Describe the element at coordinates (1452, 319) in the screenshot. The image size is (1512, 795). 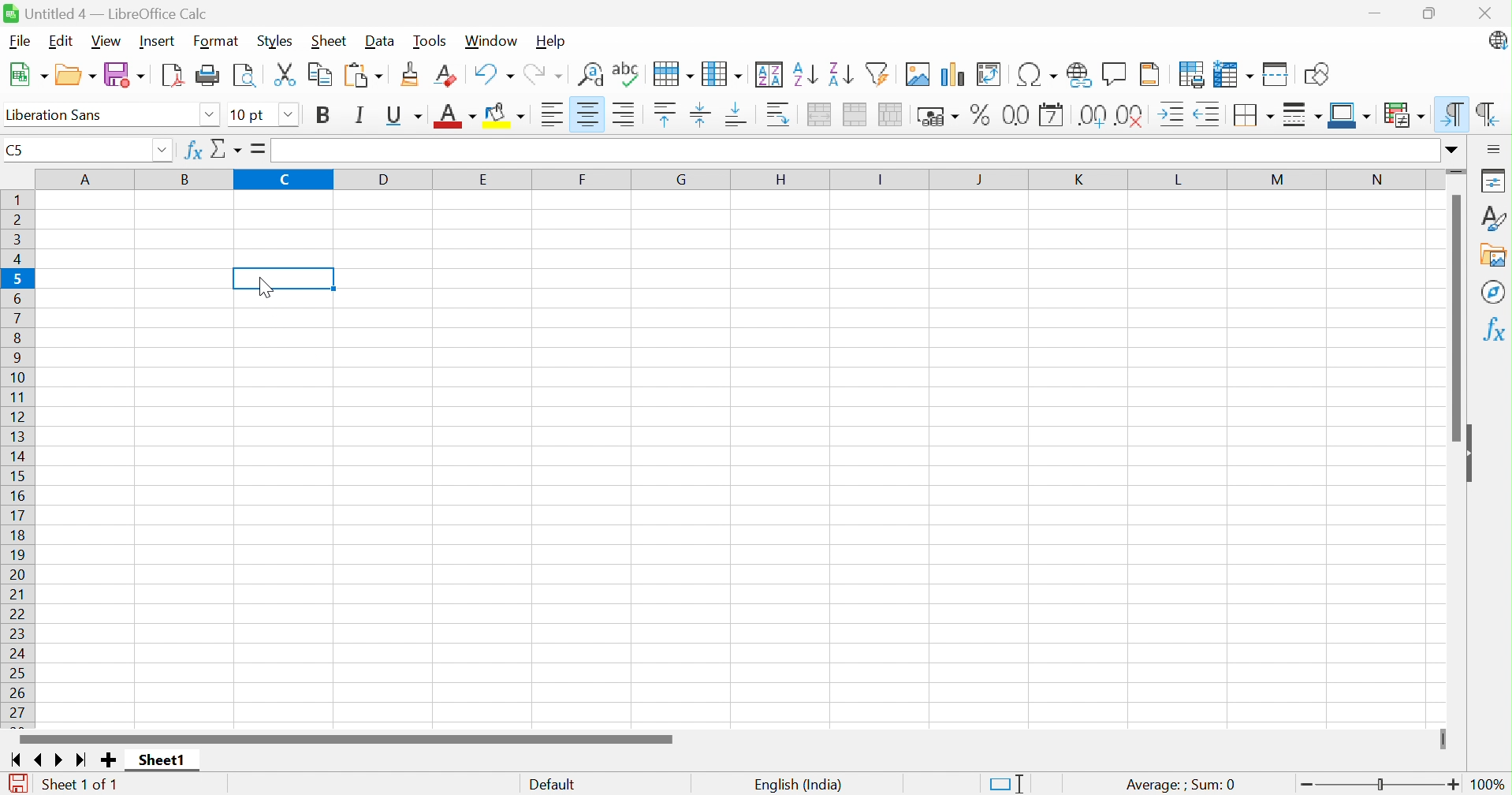
I see `Scroll Bar` at that location.